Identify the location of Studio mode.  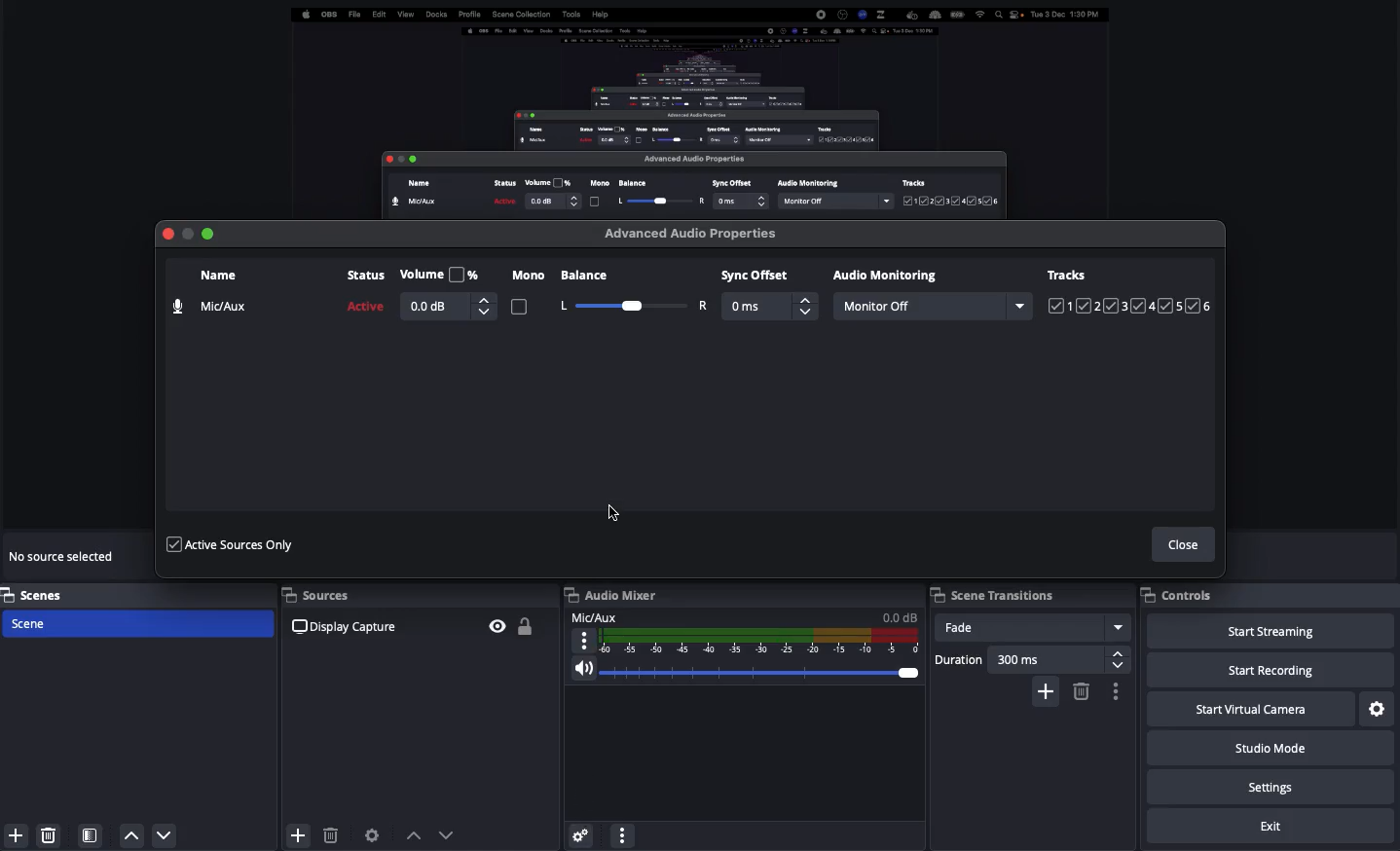
(1272, 749).